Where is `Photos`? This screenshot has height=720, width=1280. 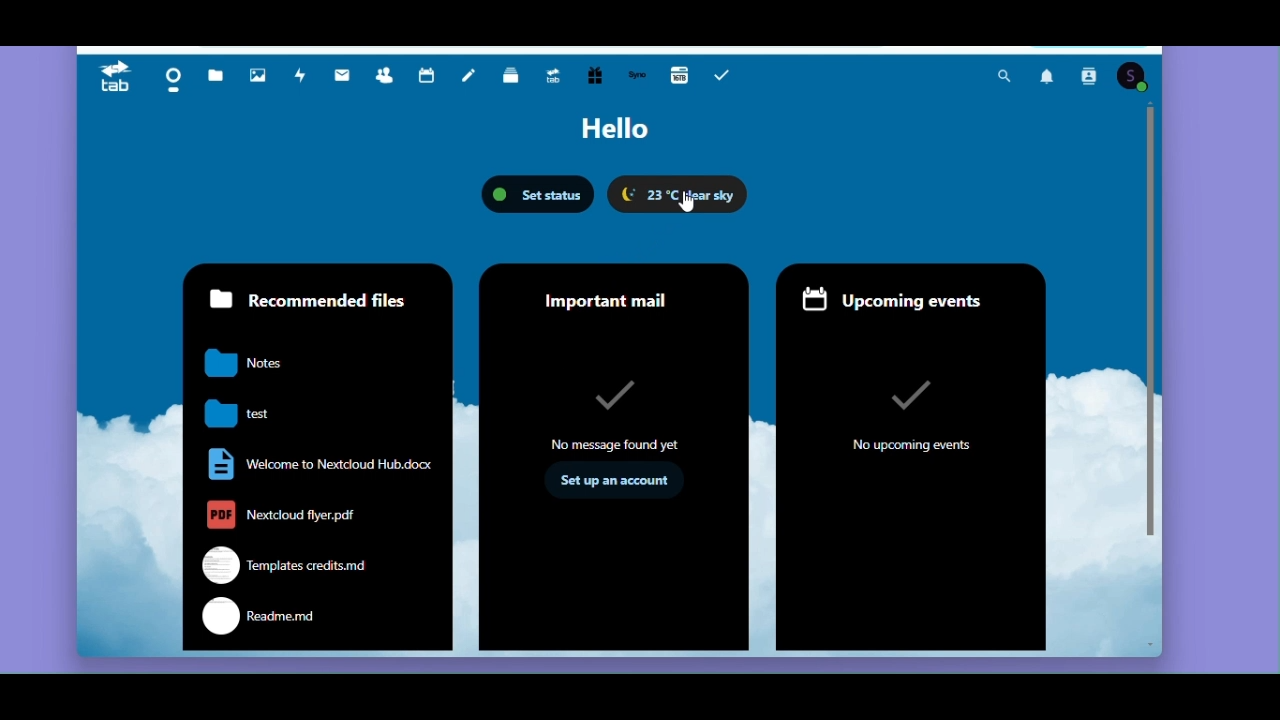 Photos is located at coordinates (261, 79).